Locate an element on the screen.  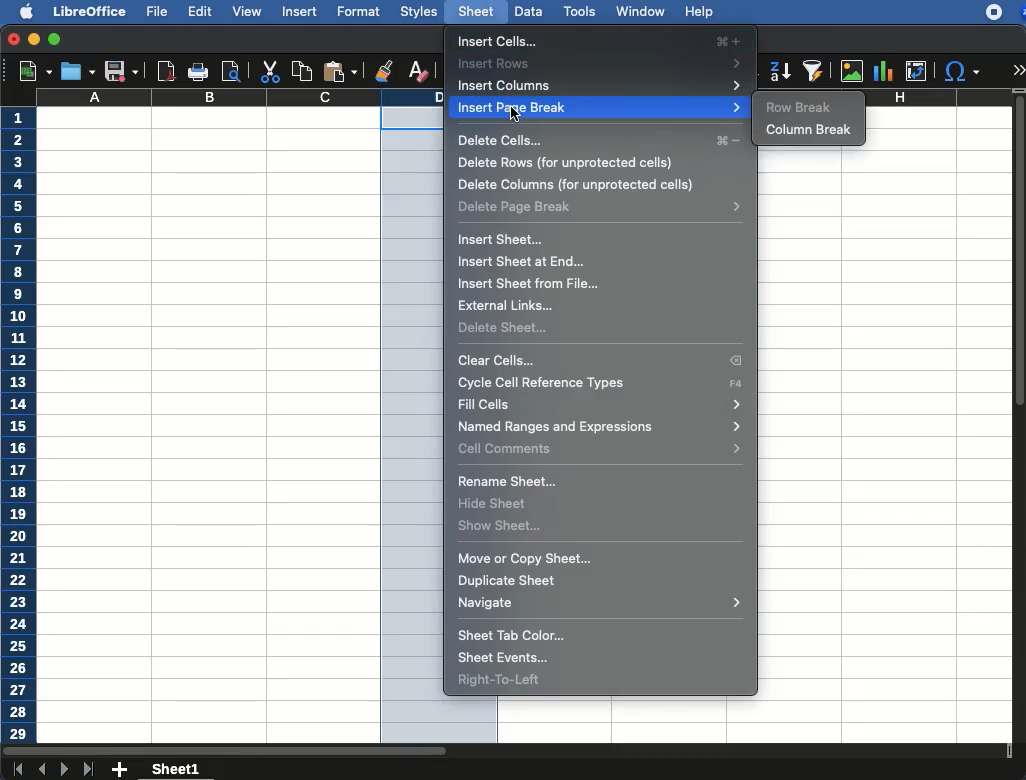
insert is located at coordinates (299, 13).